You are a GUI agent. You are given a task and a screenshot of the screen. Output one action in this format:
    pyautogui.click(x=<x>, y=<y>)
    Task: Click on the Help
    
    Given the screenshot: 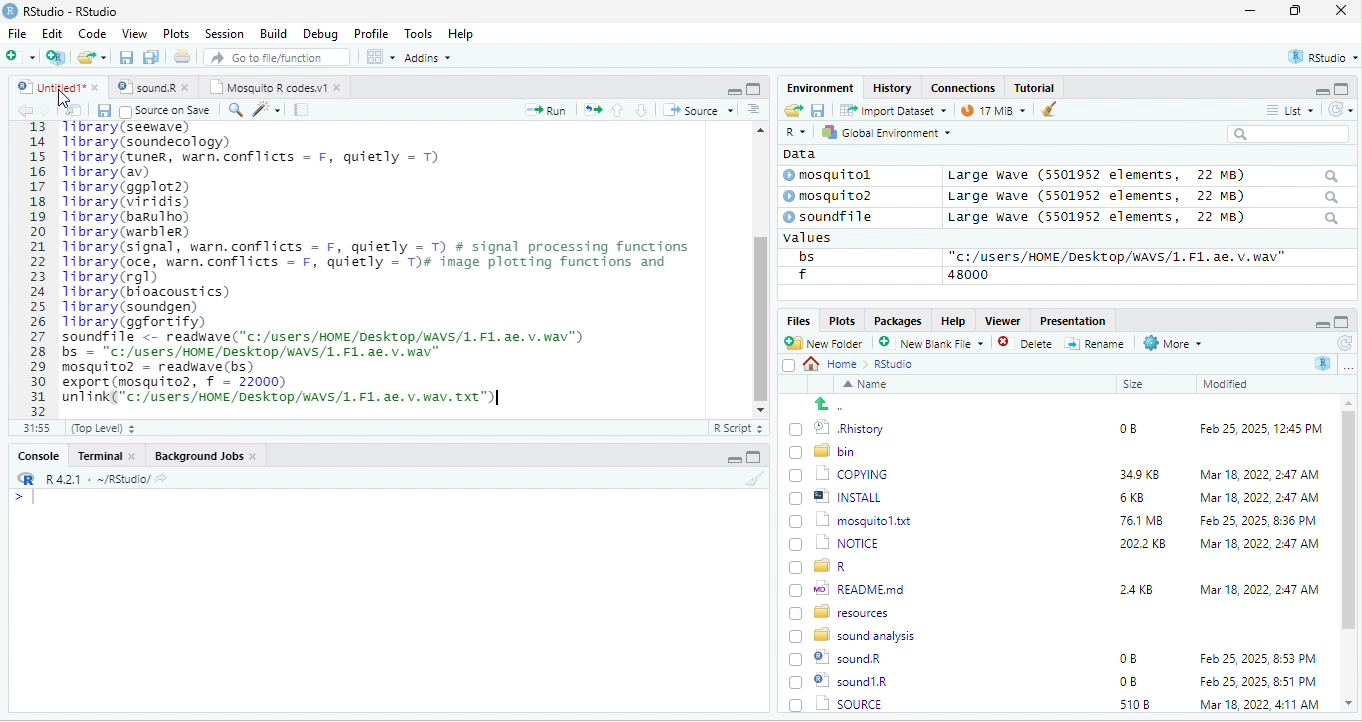 What is the action you would take?
    pyautogui.click(x=953, y=319)
    